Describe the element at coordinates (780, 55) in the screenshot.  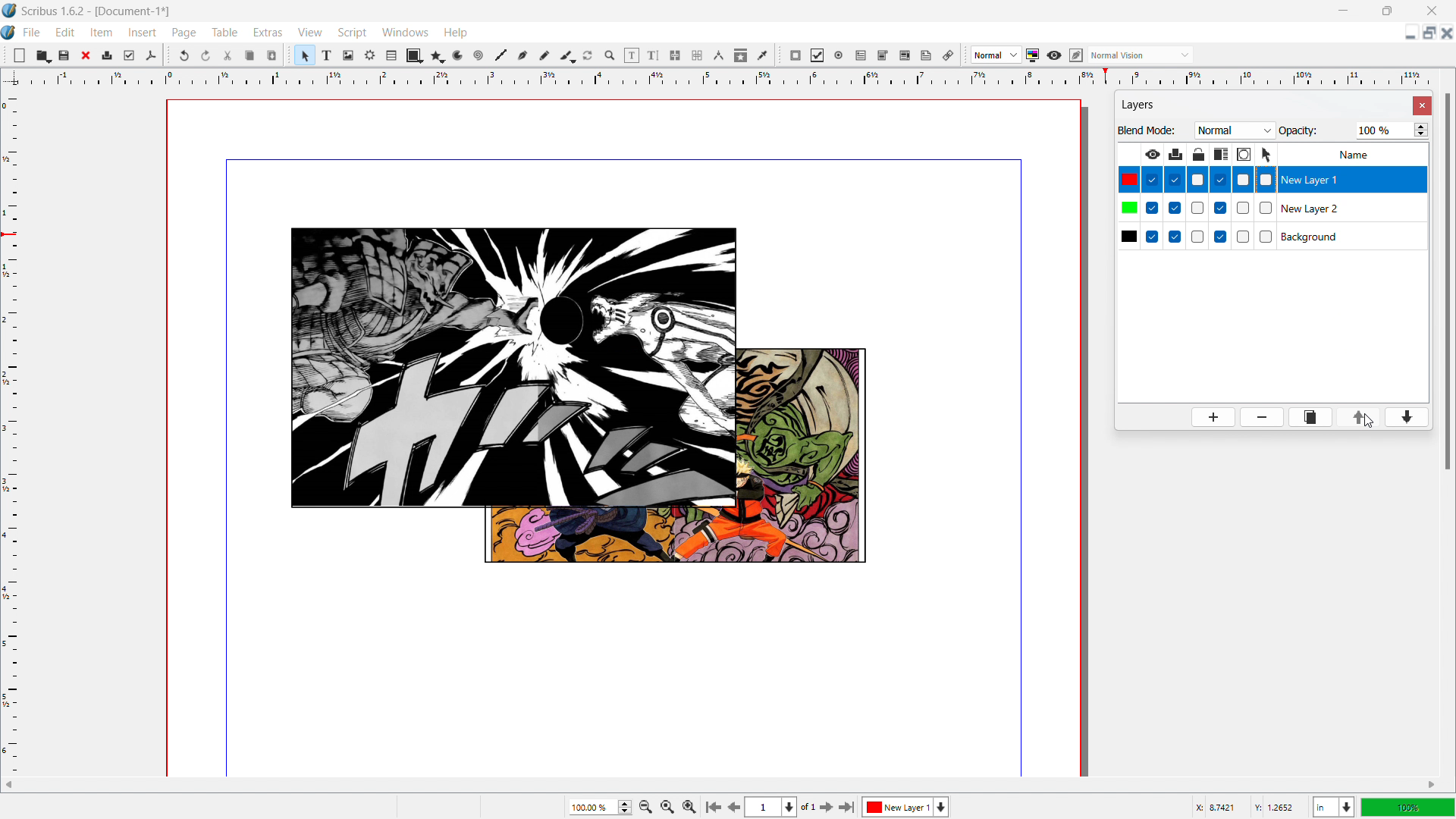
I see `move toolbox` at that location.